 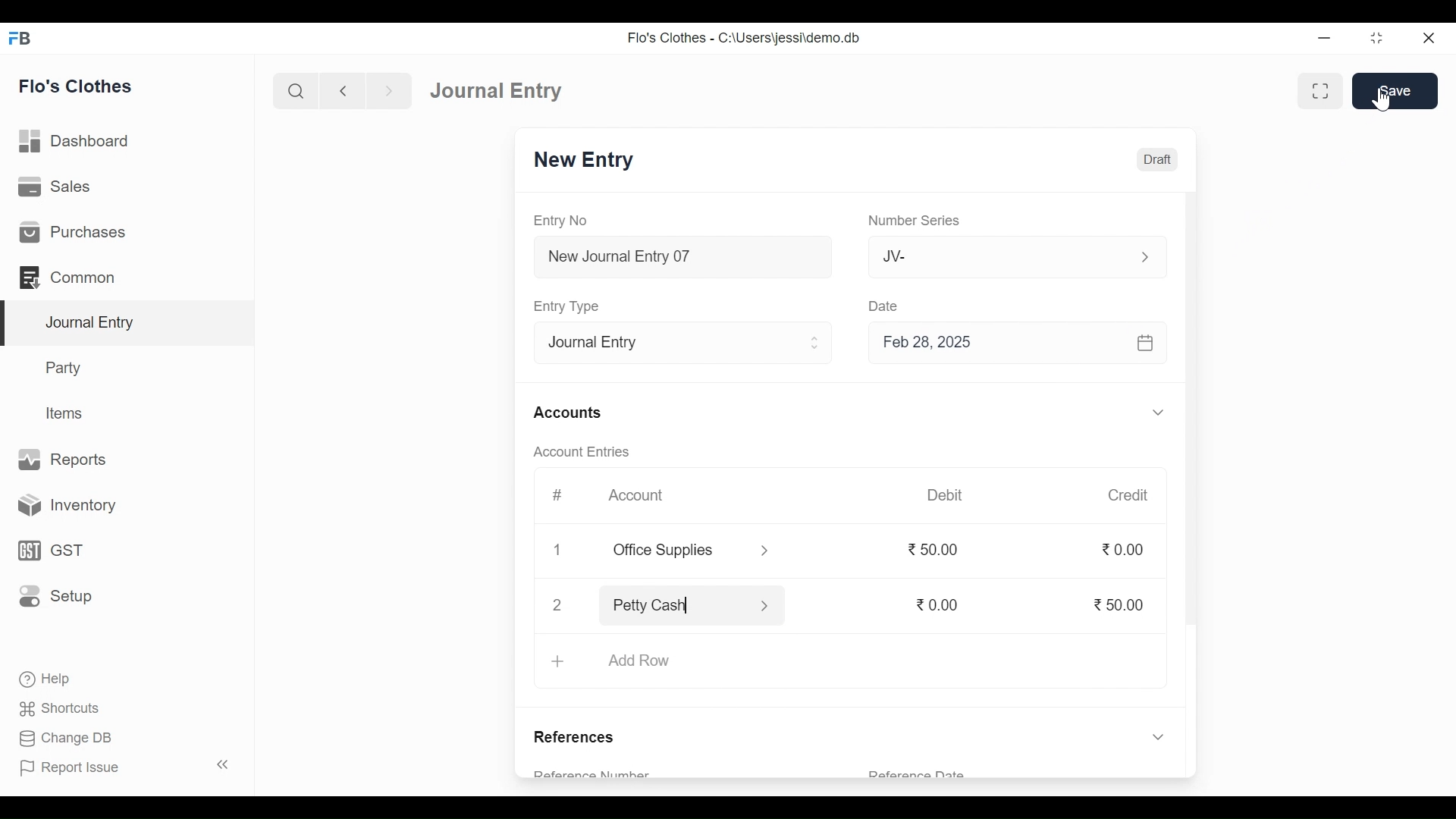 What do you see at coordinates (1429, 39) in the screenshot?
I see `Close` at bounding box center [1429, 39].